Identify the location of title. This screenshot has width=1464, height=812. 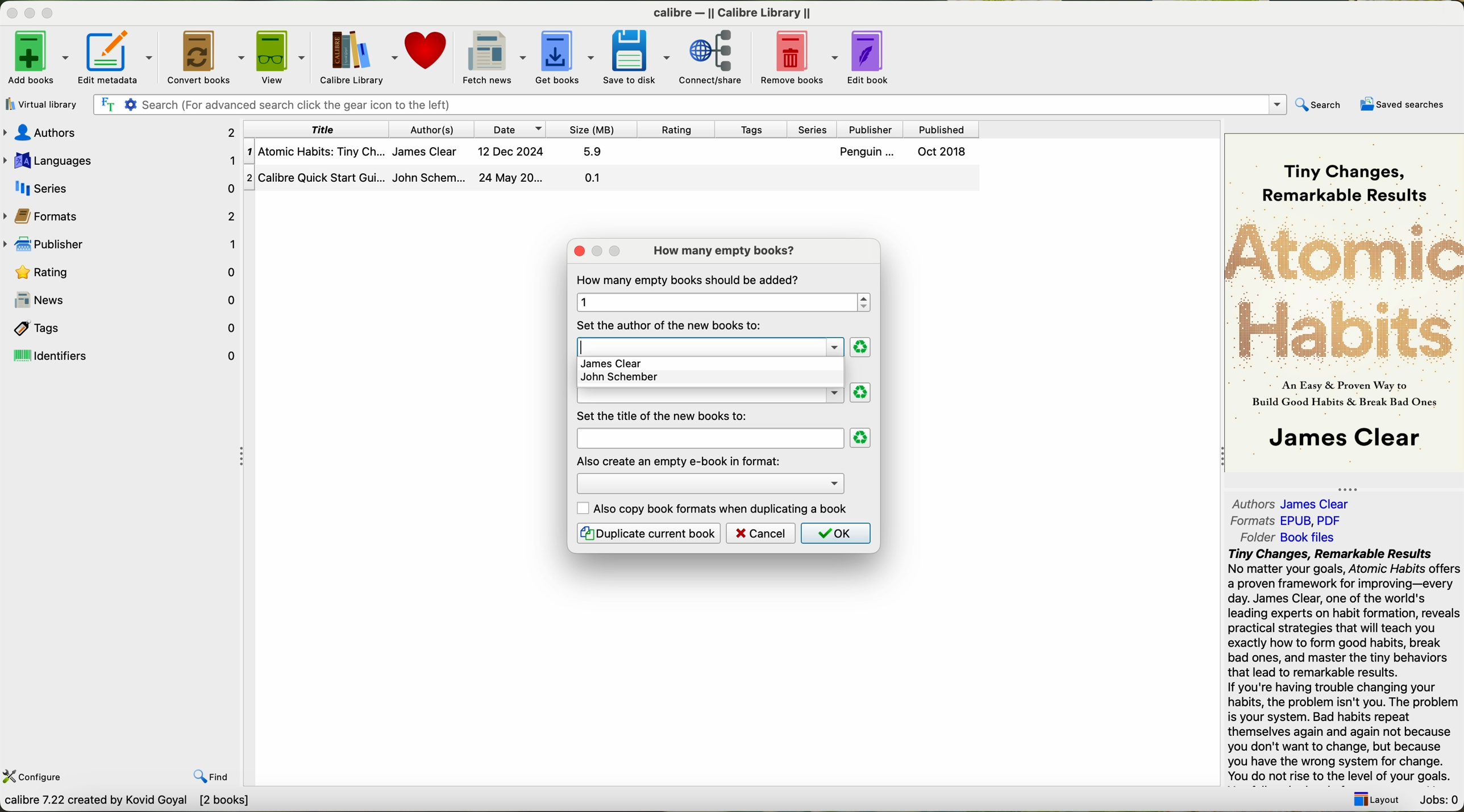
(708, 438).